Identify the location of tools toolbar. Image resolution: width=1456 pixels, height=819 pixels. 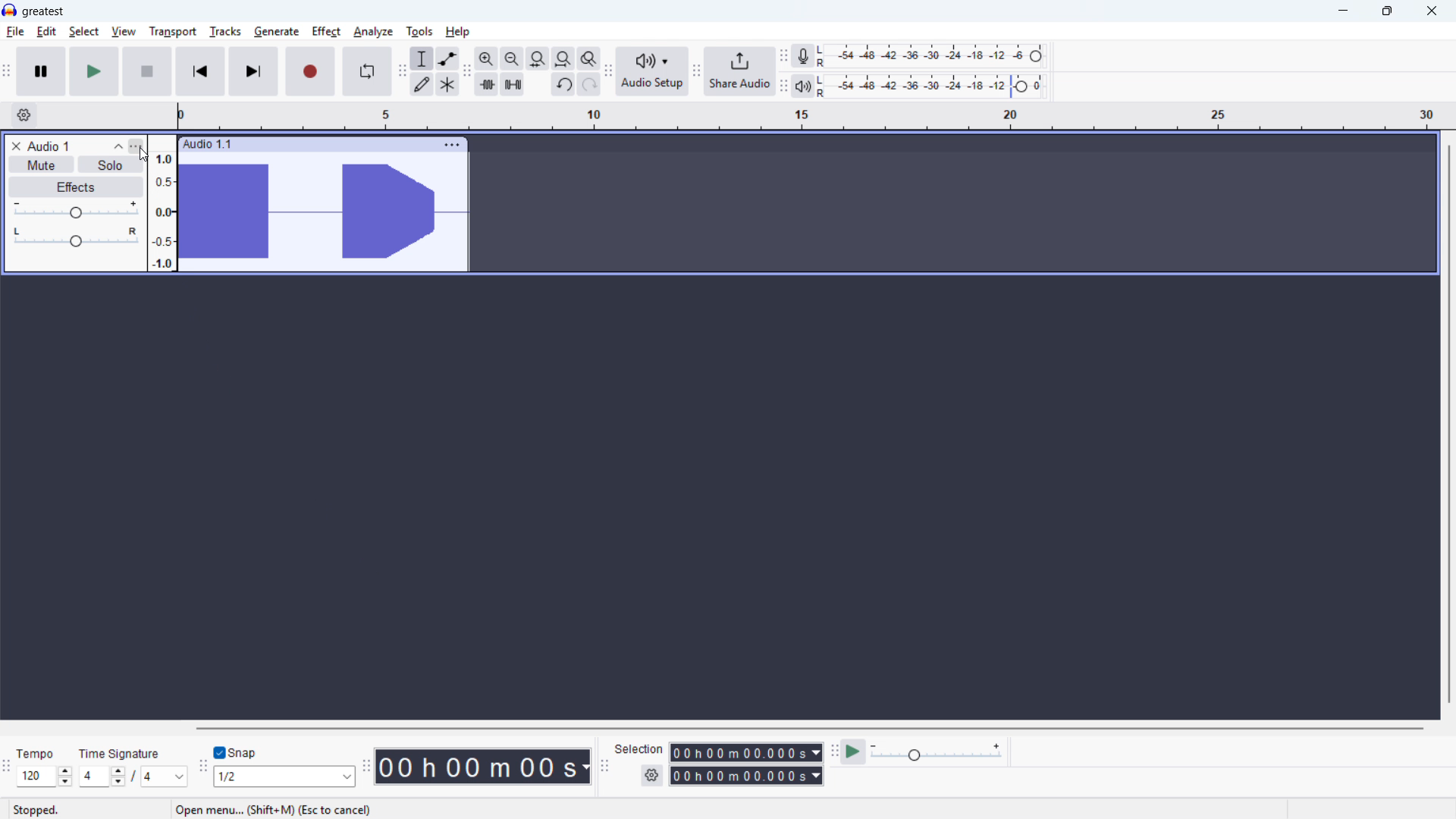
(402, 73).